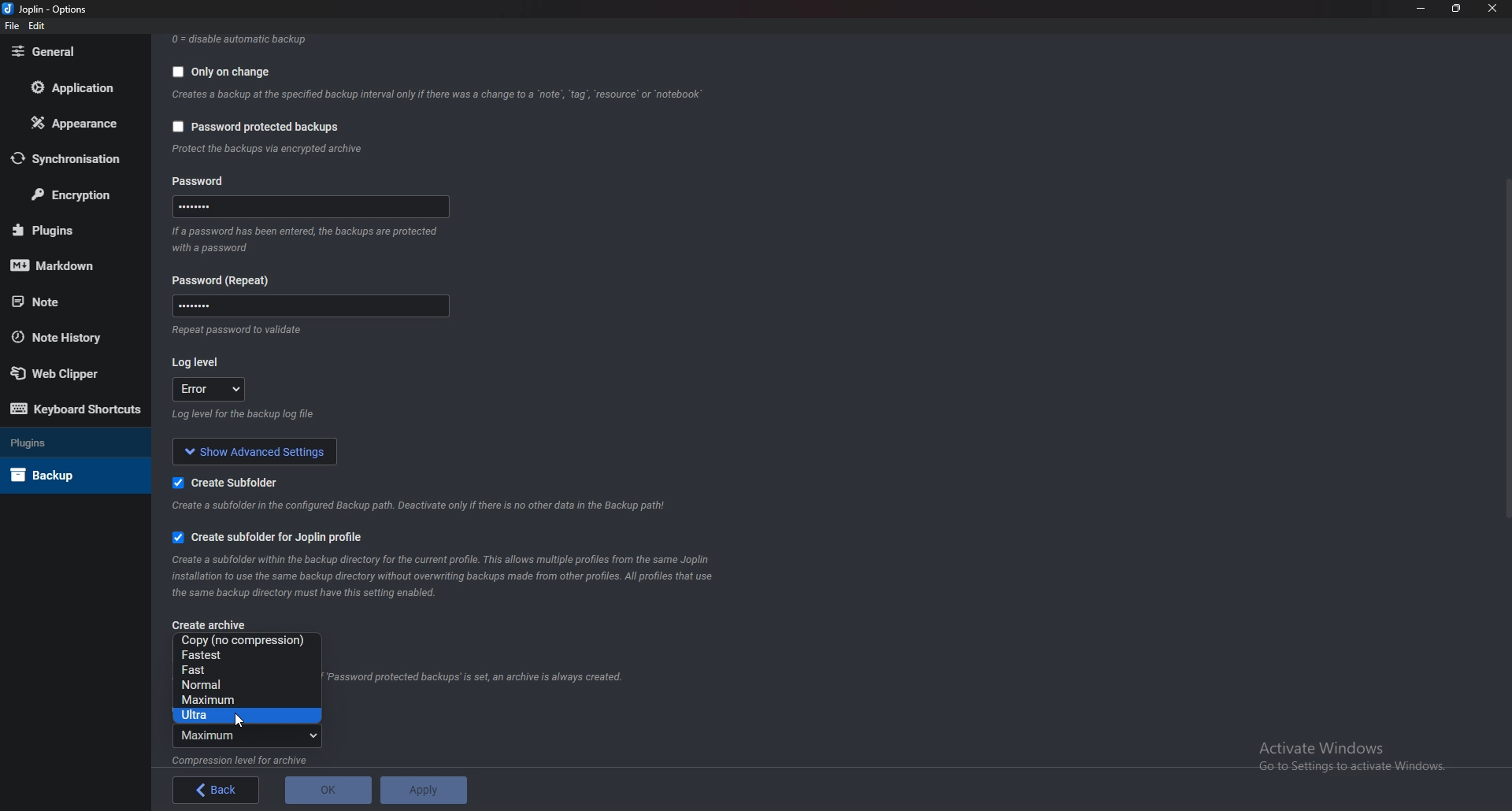  I want to click on Ultra, so click(249, 717).